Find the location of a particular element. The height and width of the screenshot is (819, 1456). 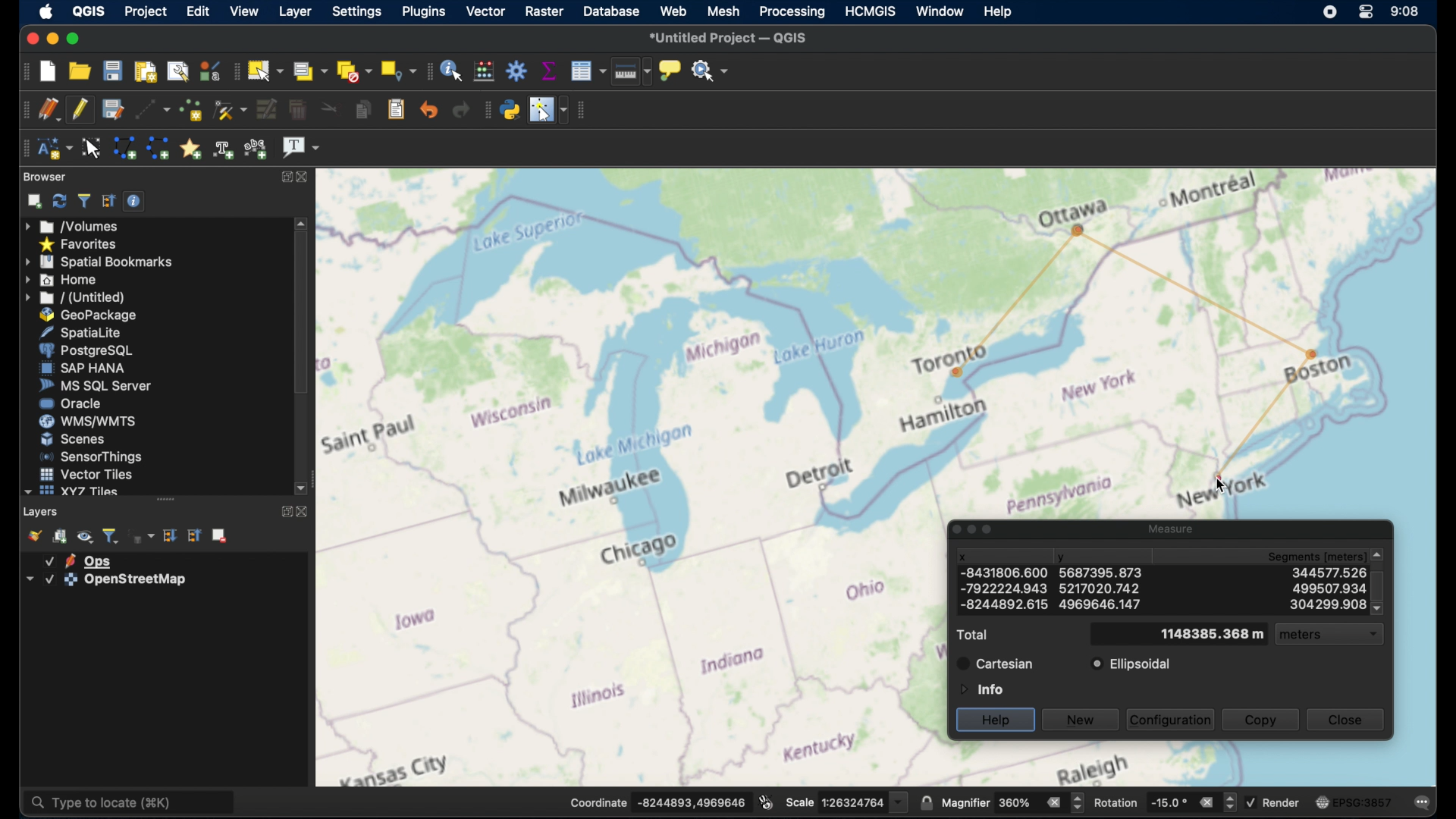

measure line is located at coordinates (632, 74).